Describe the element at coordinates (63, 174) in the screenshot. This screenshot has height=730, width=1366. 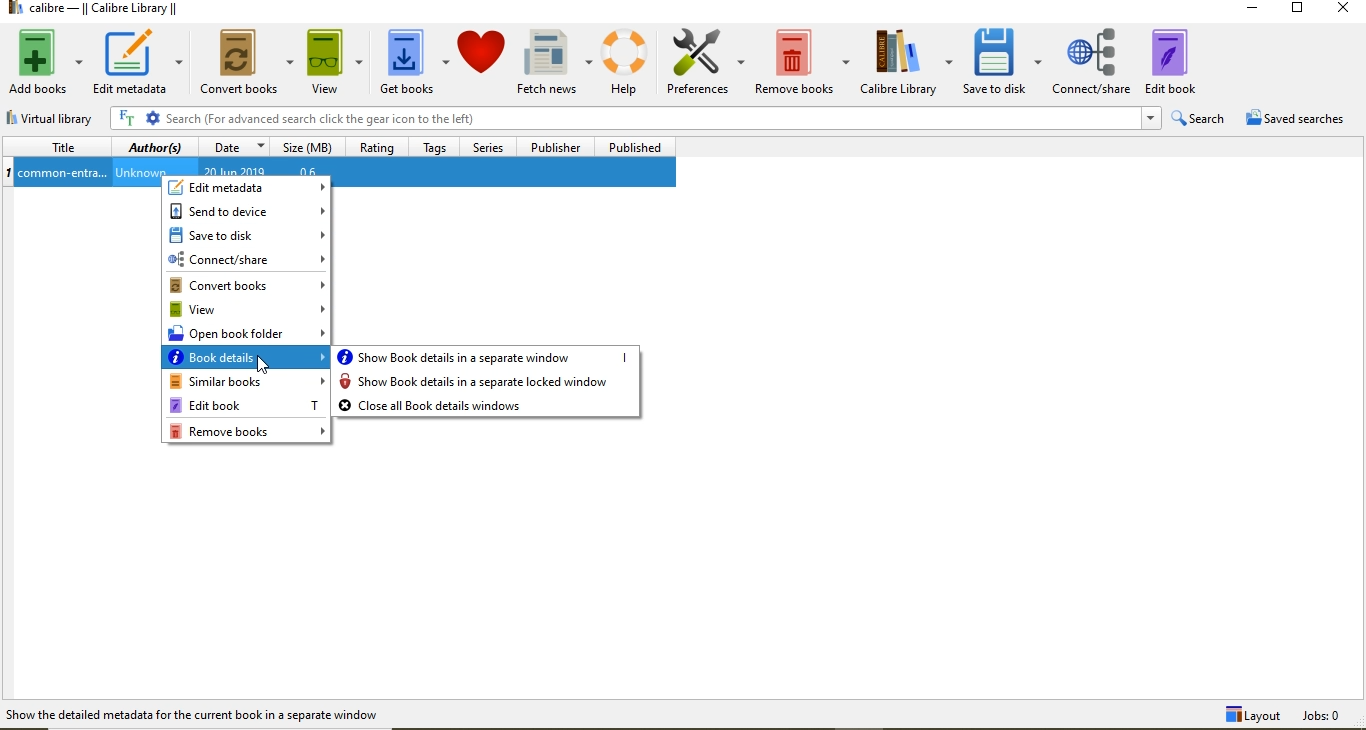
I see `common-entra...` at that location.